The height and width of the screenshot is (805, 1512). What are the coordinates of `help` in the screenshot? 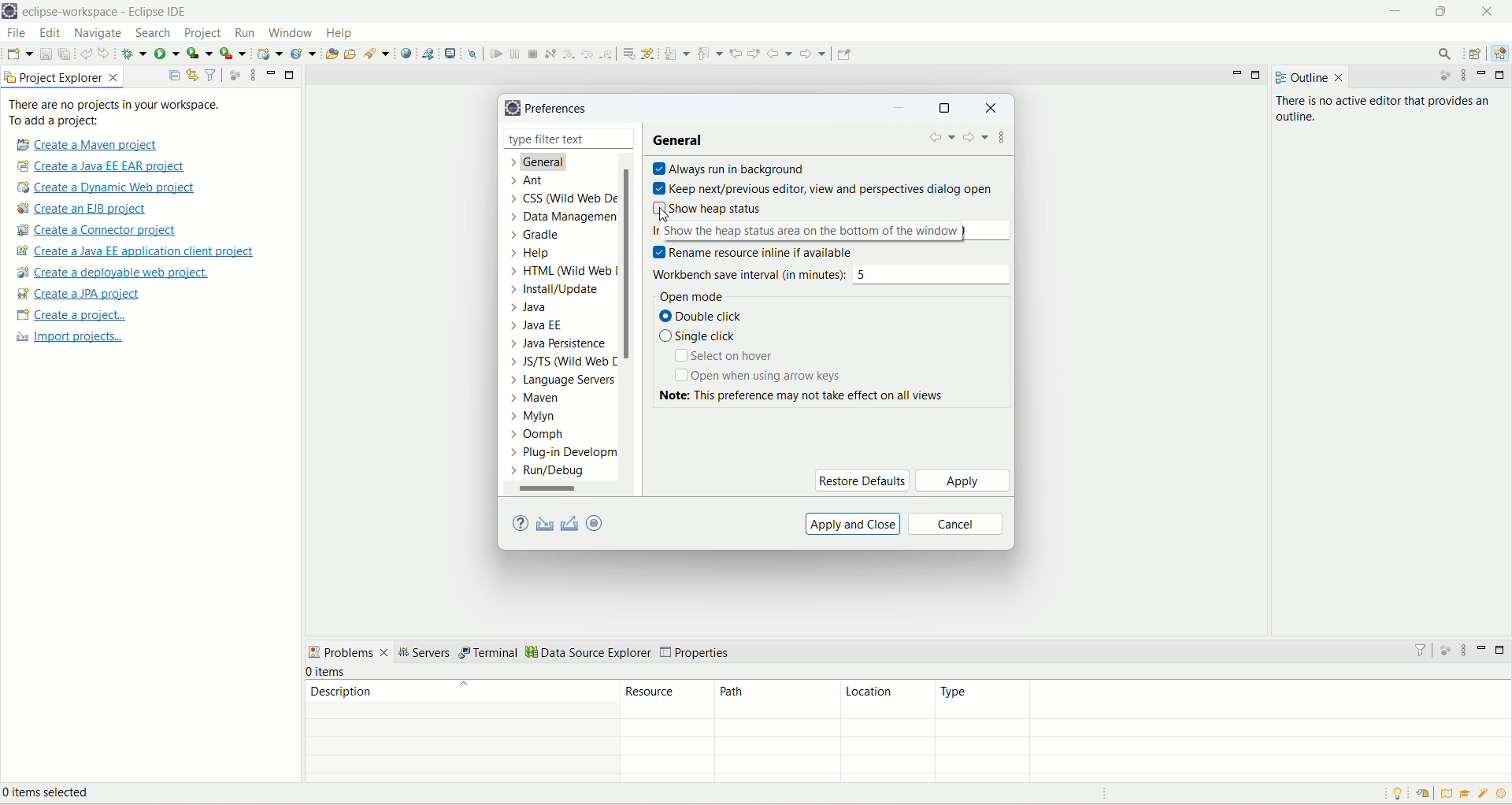 It's located at (341, 33).